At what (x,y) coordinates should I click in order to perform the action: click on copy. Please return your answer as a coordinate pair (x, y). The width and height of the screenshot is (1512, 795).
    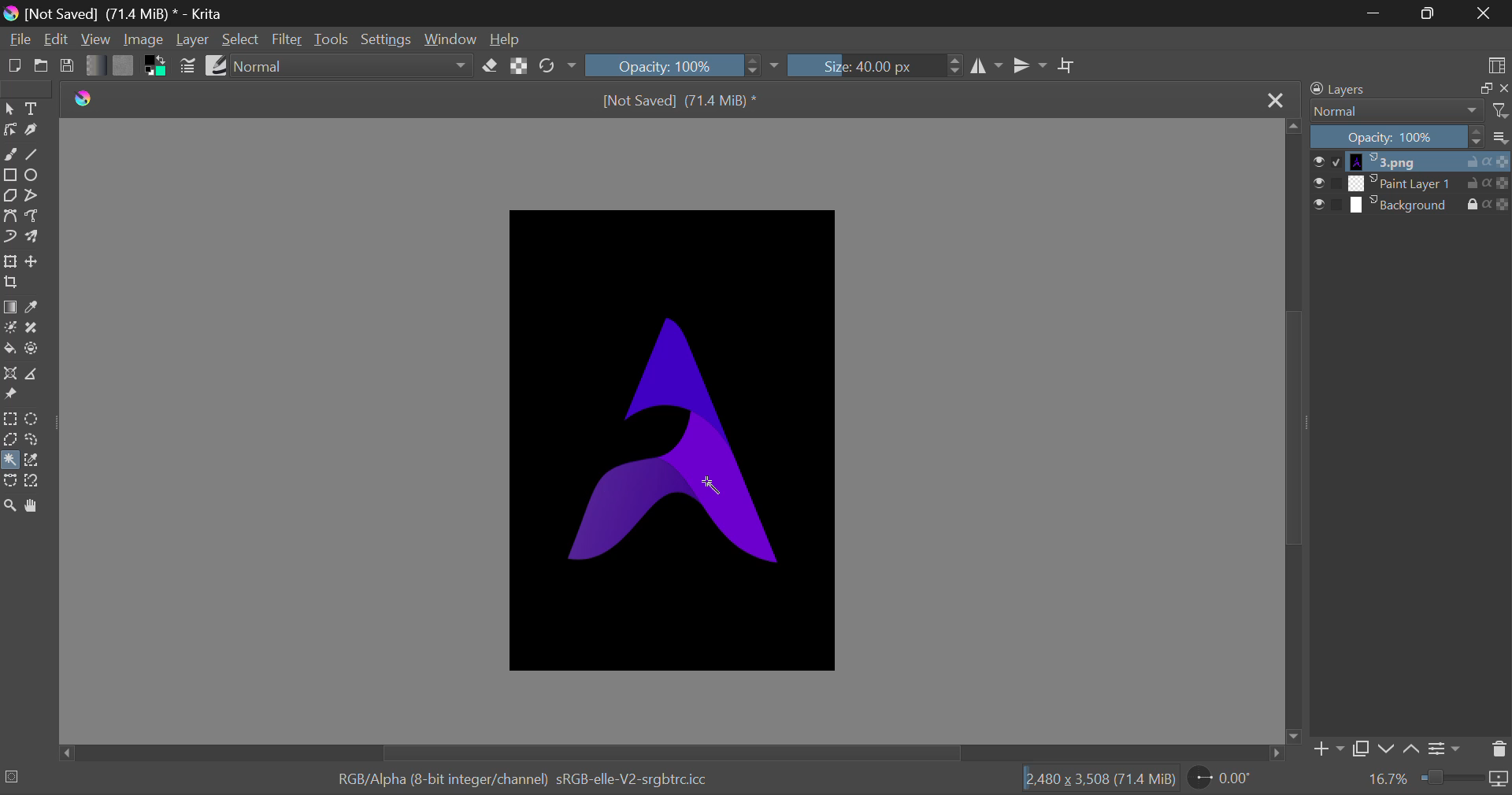
    Looking at the image, I should click on (1483, 89).